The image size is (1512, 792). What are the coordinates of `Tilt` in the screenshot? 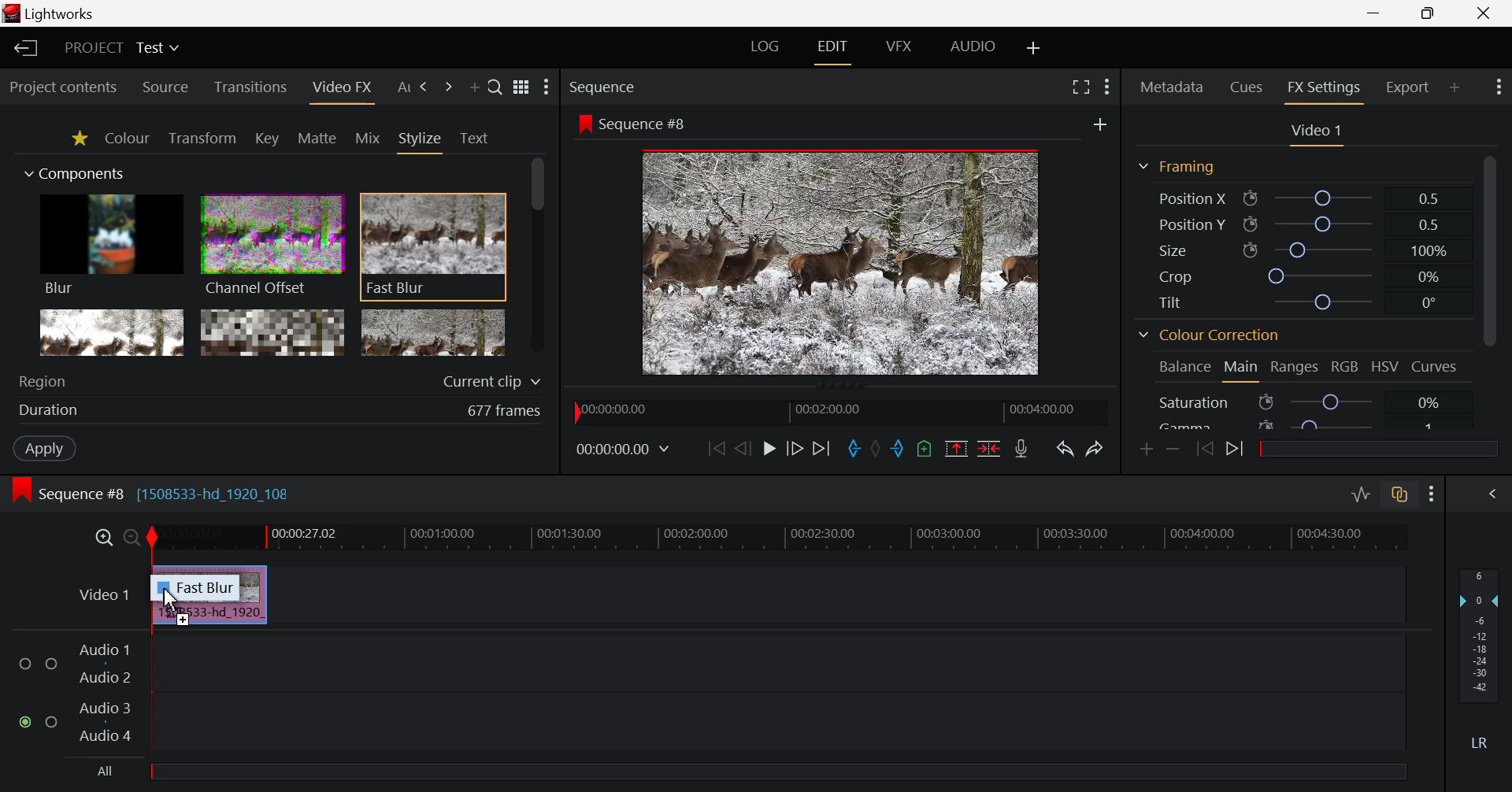 It's located at (1303, 301).